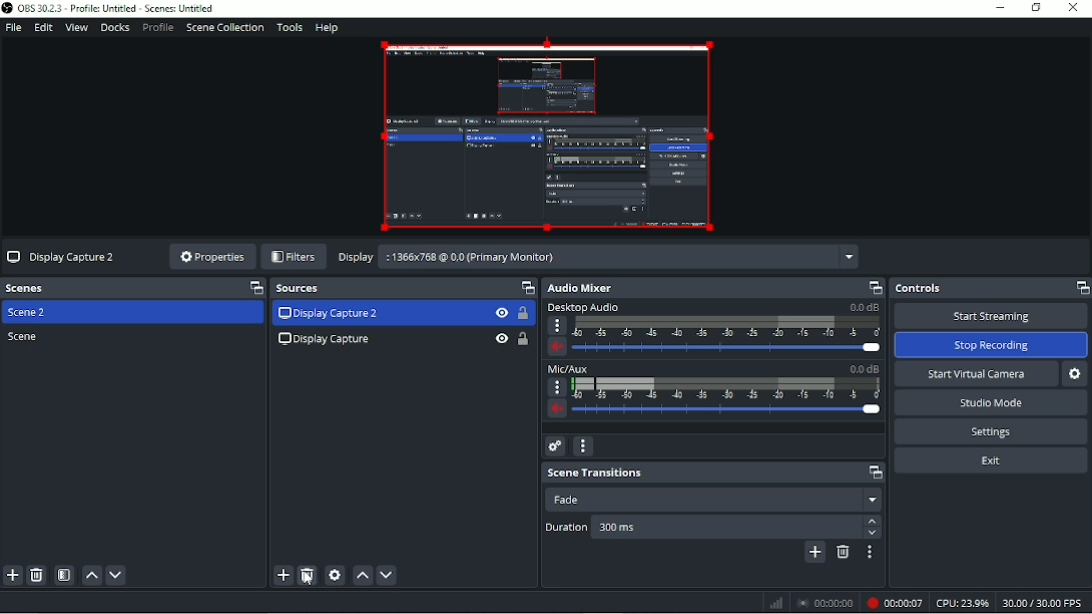 The image size is (1092, 614). What do you see at coordinates (713, 393) in the screenshot?
I see `Mic/AUX` at bounding box center [713, 393].